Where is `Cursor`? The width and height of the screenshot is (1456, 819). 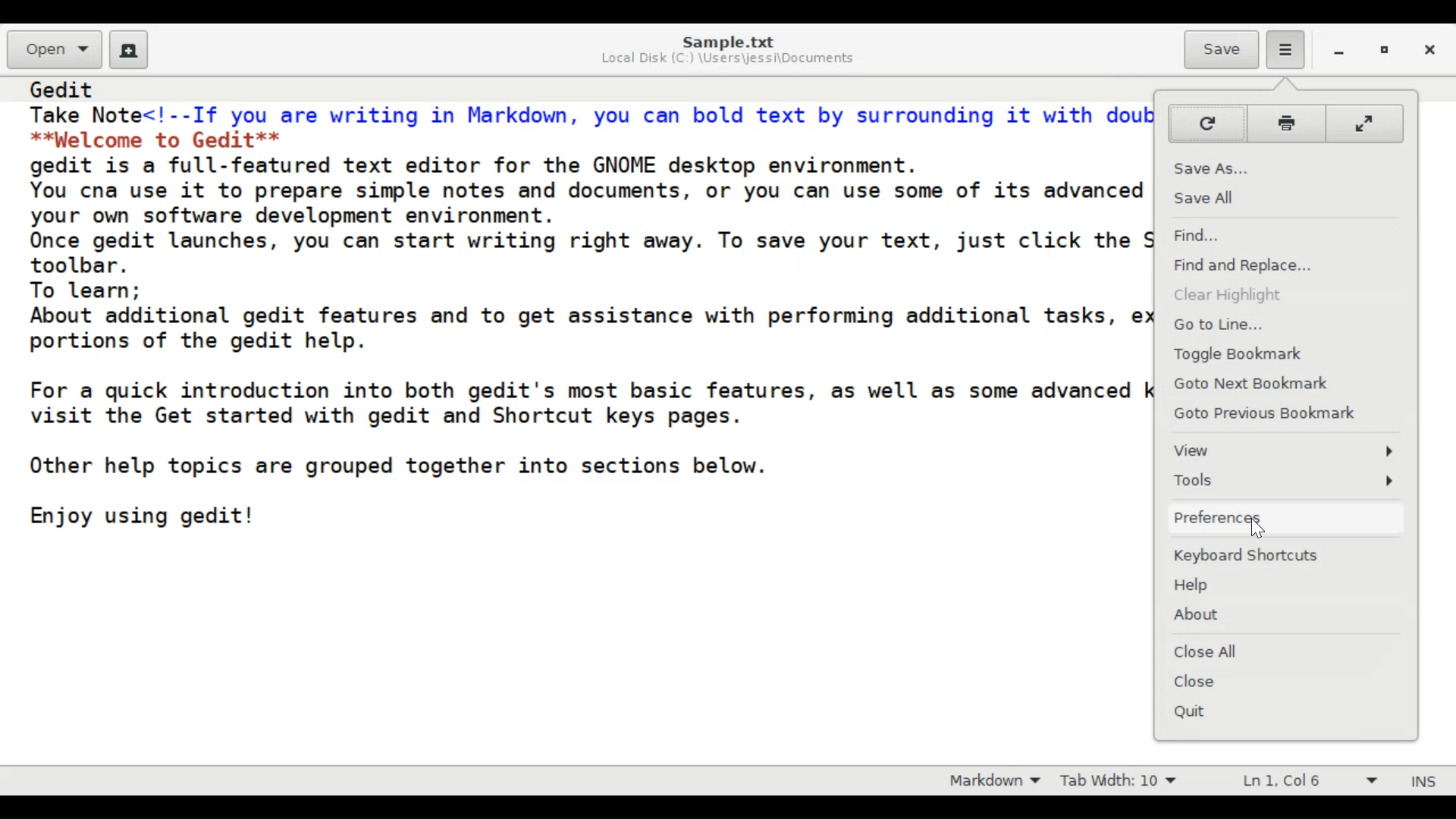
Cursor is located at coordinates (1261, 532).